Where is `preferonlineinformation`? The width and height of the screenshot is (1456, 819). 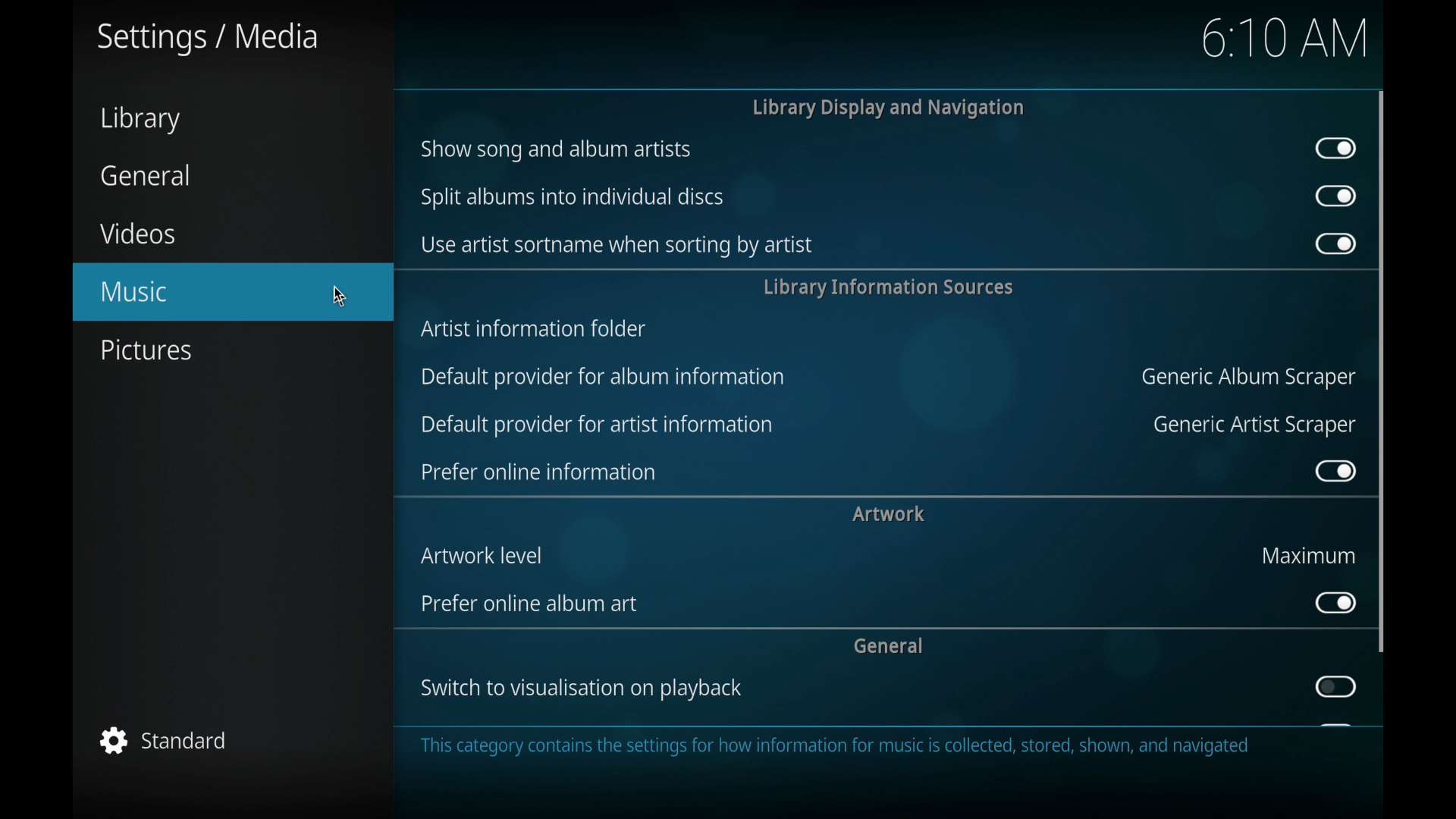 preferonlineinformation is located at coordinates (538, 472).